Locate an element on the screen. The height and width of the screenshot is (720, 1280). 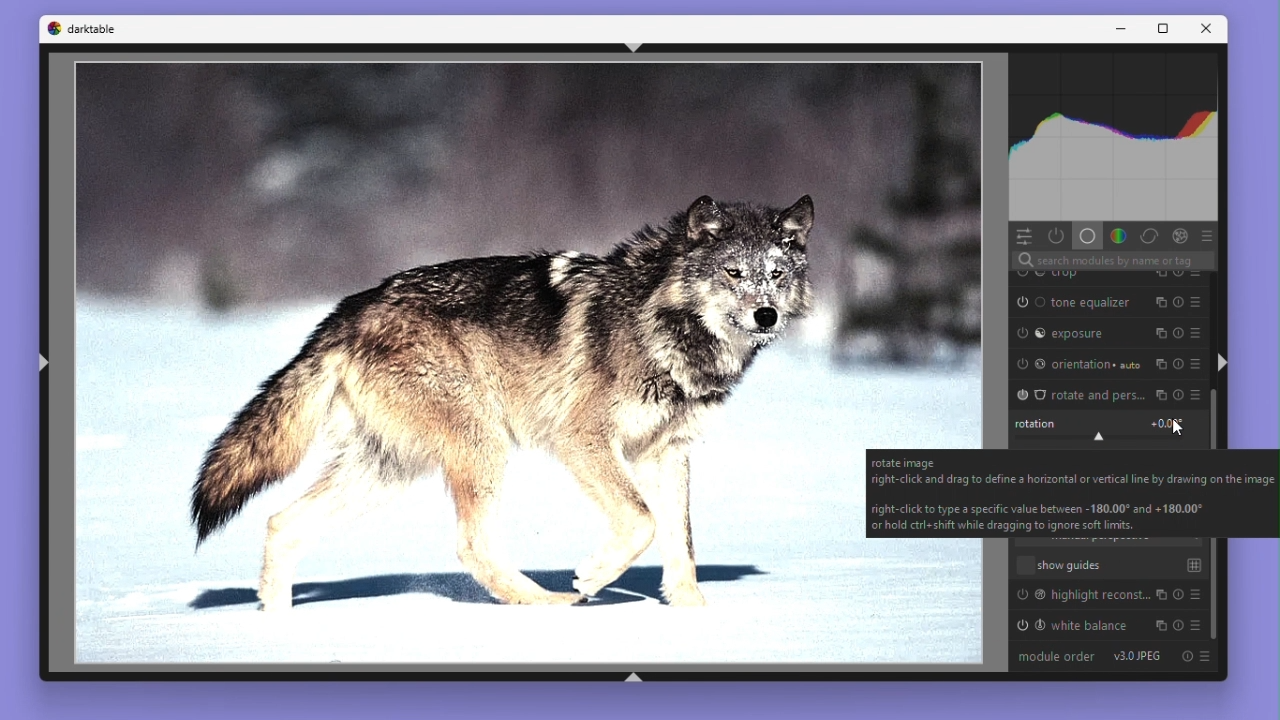
tone equalizer is located at coordinates (1113, 303).